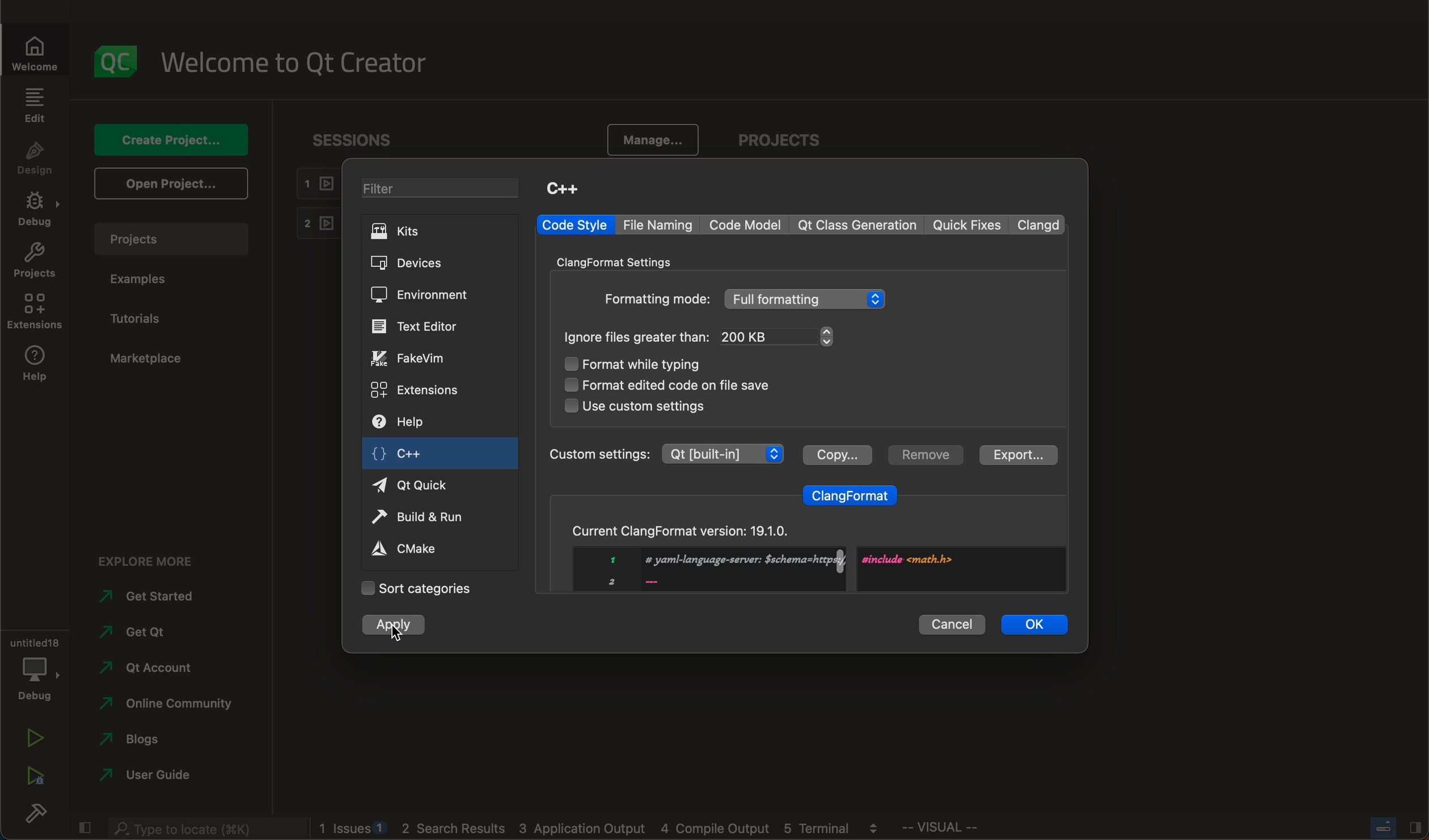 This screenshot has width=1429, height=840. Describe the element at coordinates (851, 493) in the screenshot. I see `clang format` at that location.